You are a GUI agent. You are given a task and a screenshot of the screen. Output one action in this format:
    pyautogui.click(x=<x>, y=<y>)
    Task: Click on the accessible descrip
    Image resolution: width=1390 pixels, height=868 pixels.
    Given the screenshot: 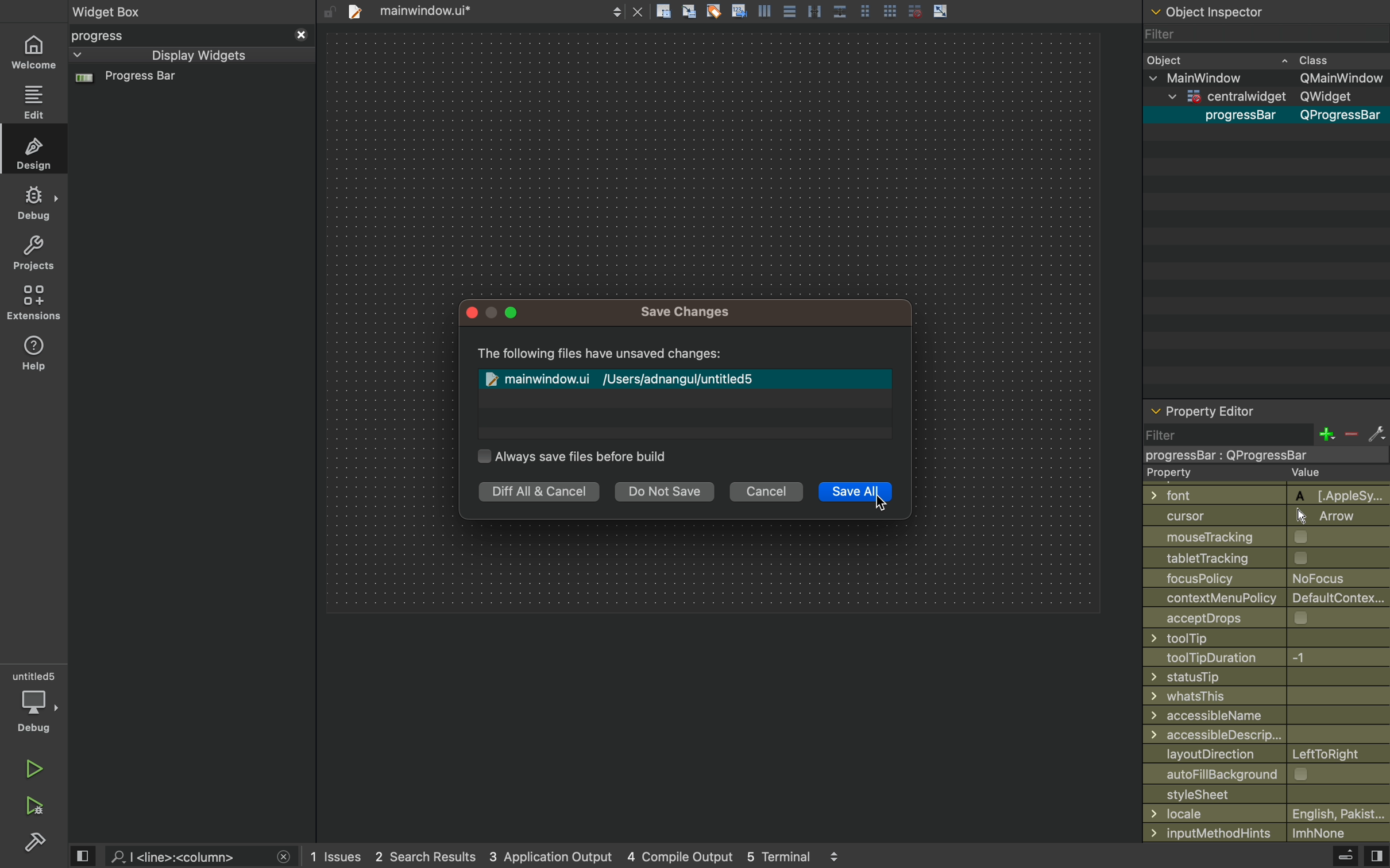 What is the action you would take?
    pyautogui.click(x=1251, y=735)
    